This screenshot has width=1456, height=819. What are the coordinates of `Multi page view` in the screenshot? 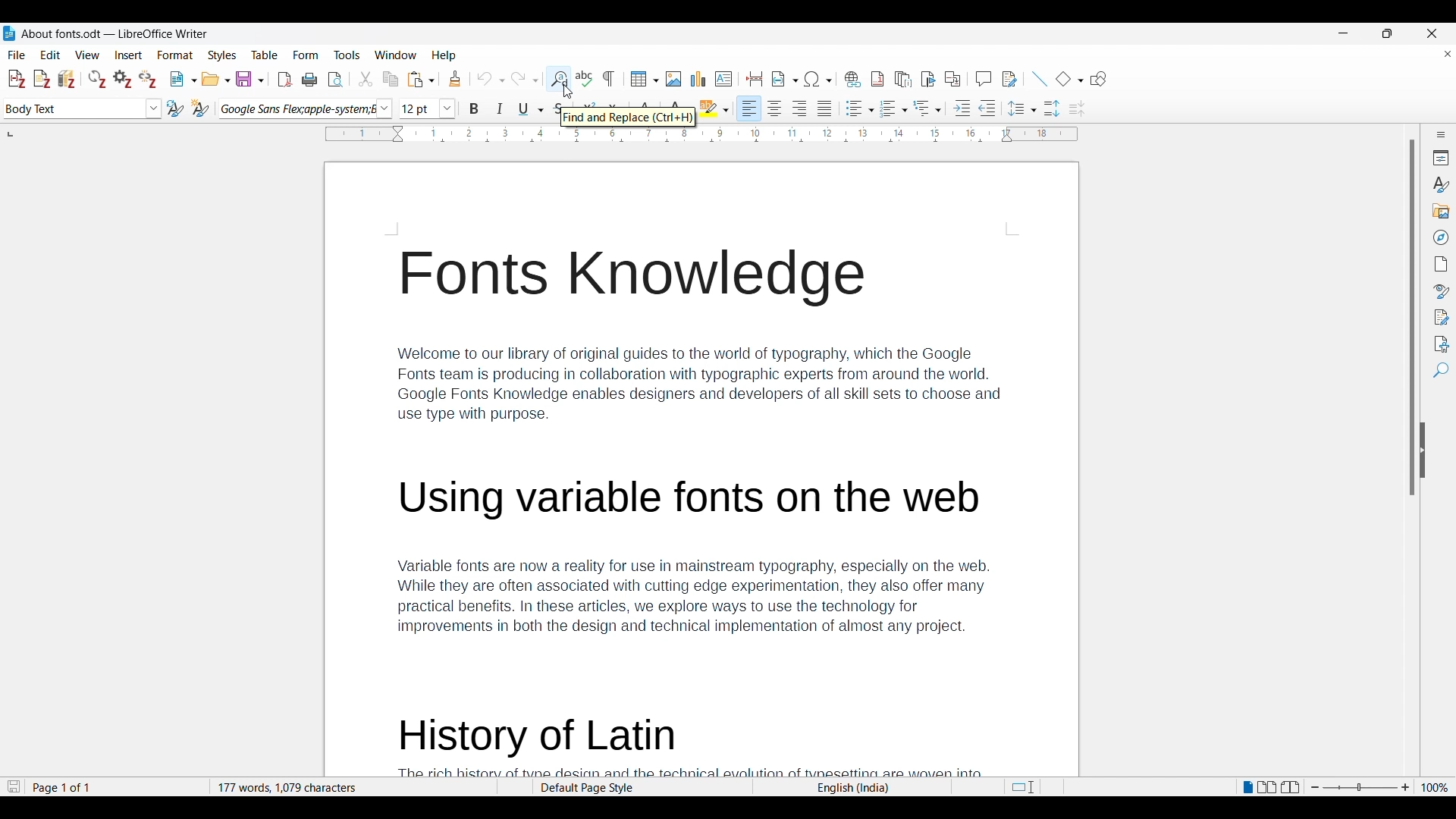 It's located at (1267, 787).